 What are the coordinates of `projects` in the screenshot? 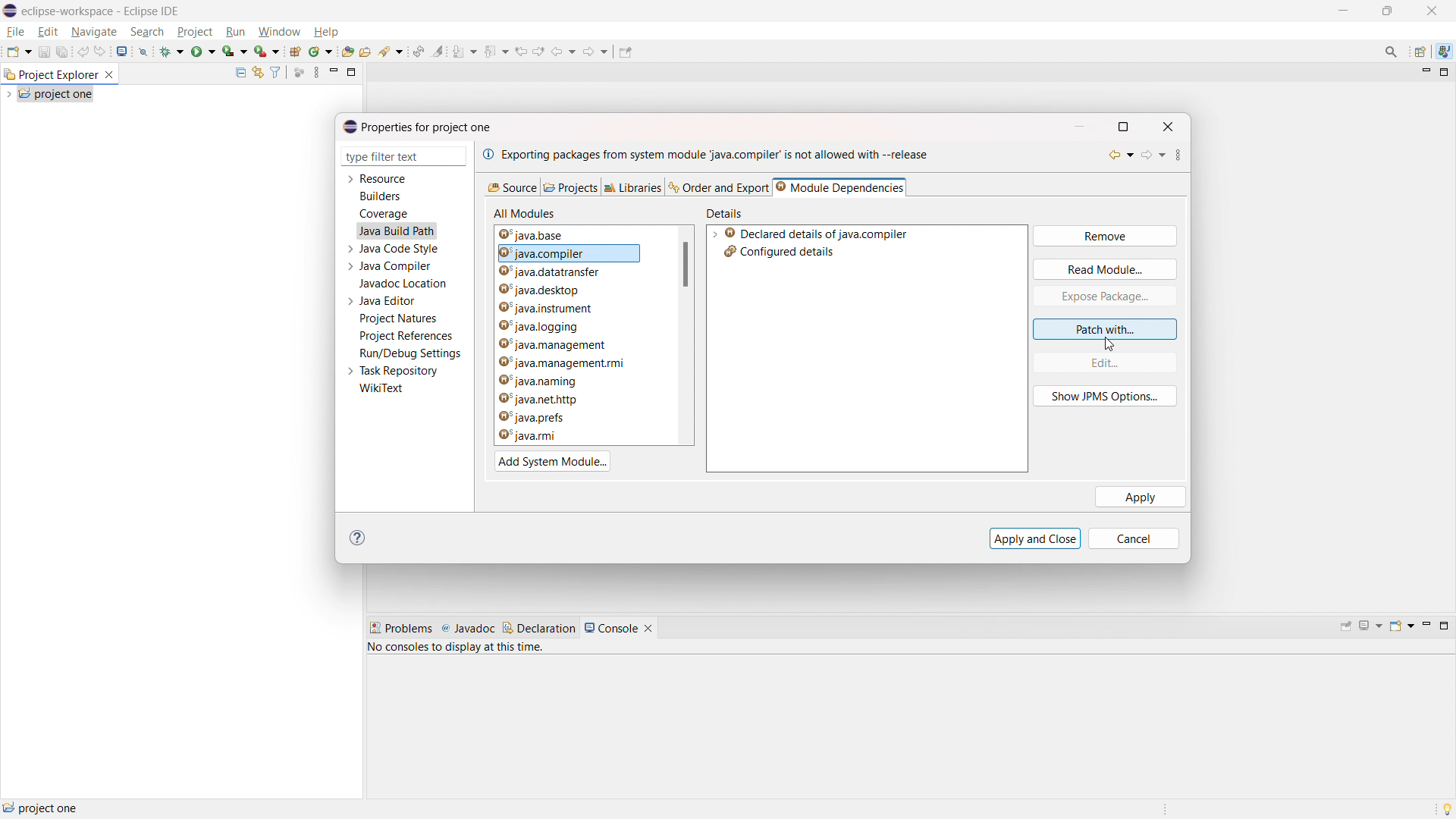 It's located at (570, 187).